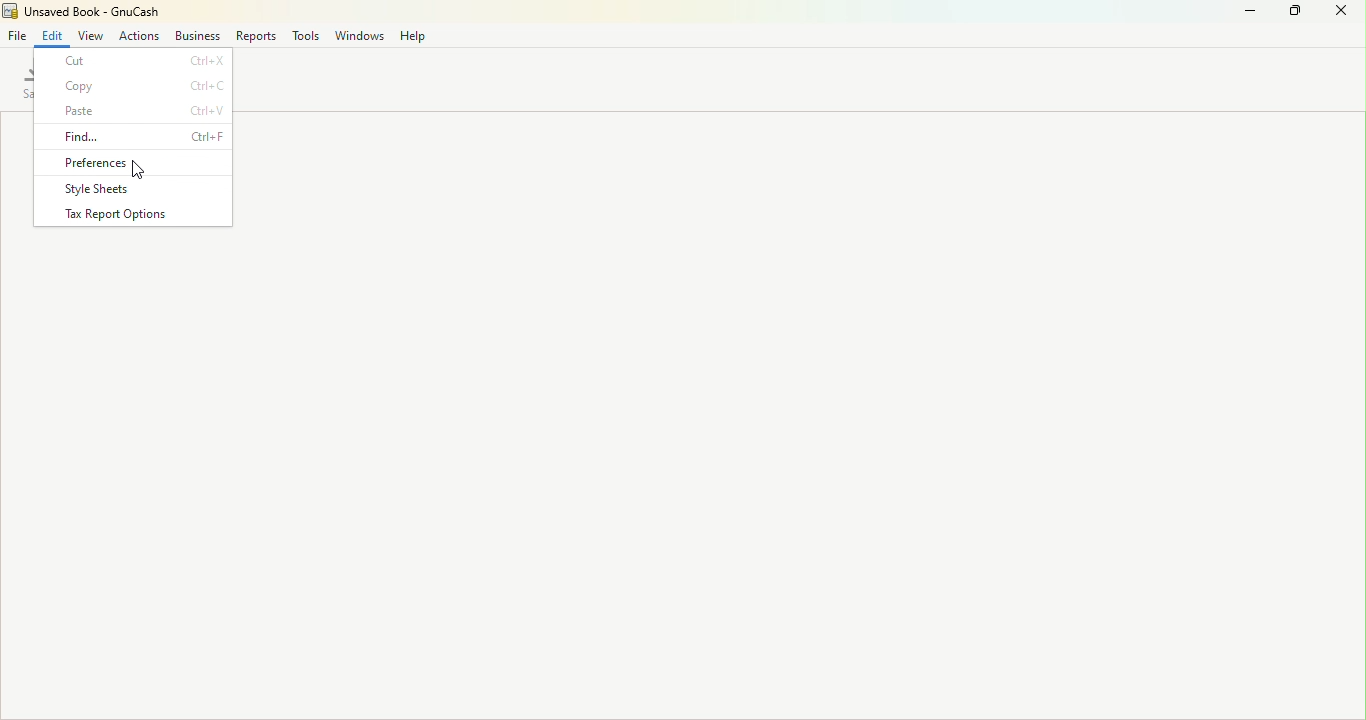  I want to click on Actions, so click(136, 35).